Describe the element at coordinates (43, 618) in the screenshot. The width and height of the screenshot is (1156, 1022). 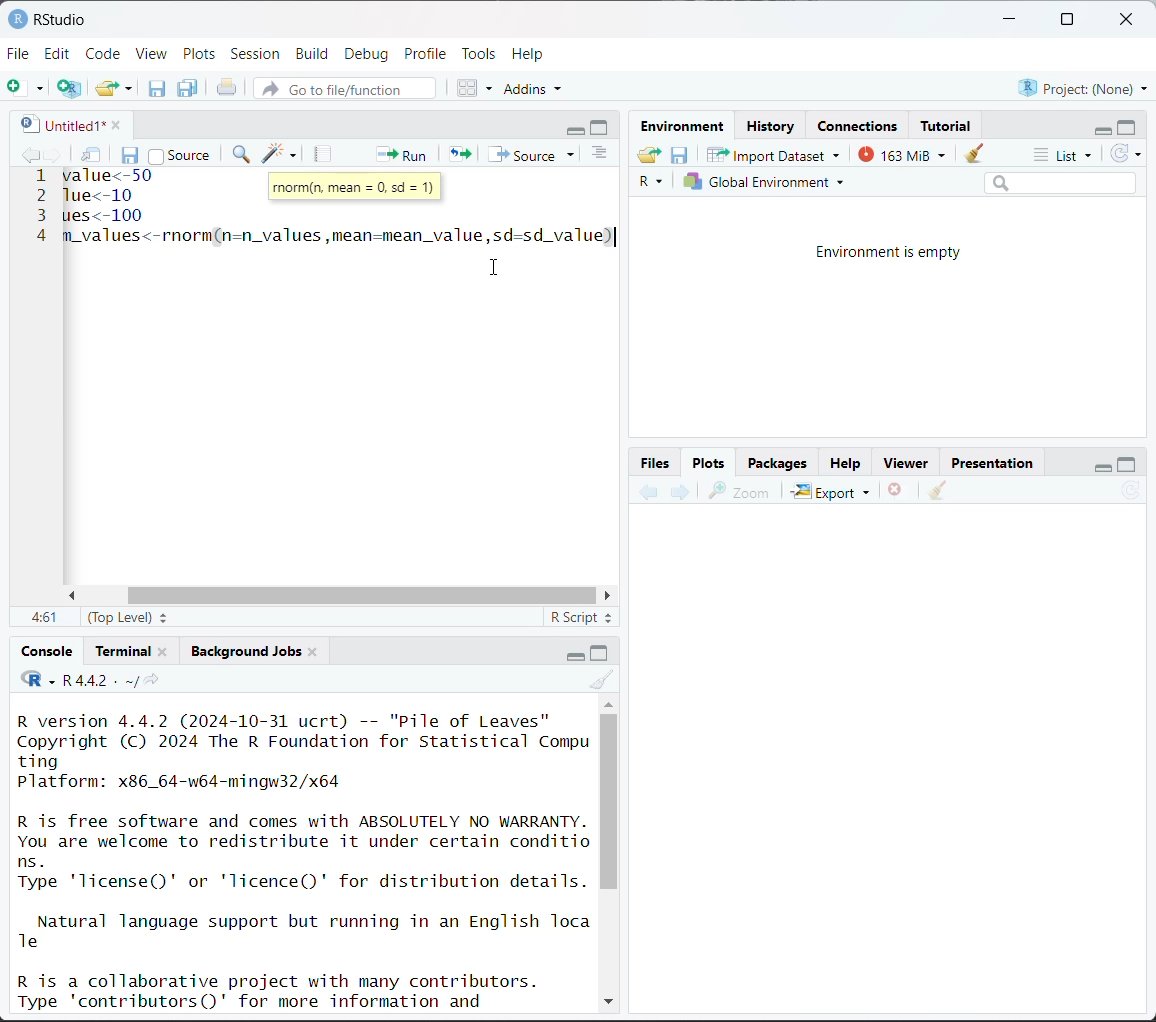
I see `4:61` at that location.